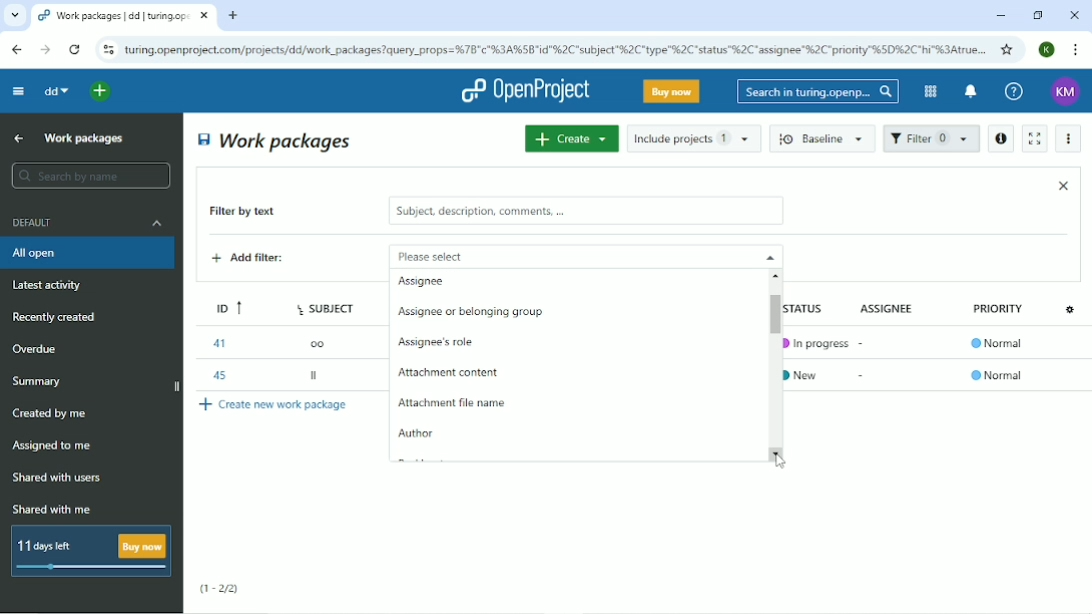  What do you see at coordinates (1007, 49) in the screenshot?
I see `Bookmark this tab` at bounding box center [1007, 49].